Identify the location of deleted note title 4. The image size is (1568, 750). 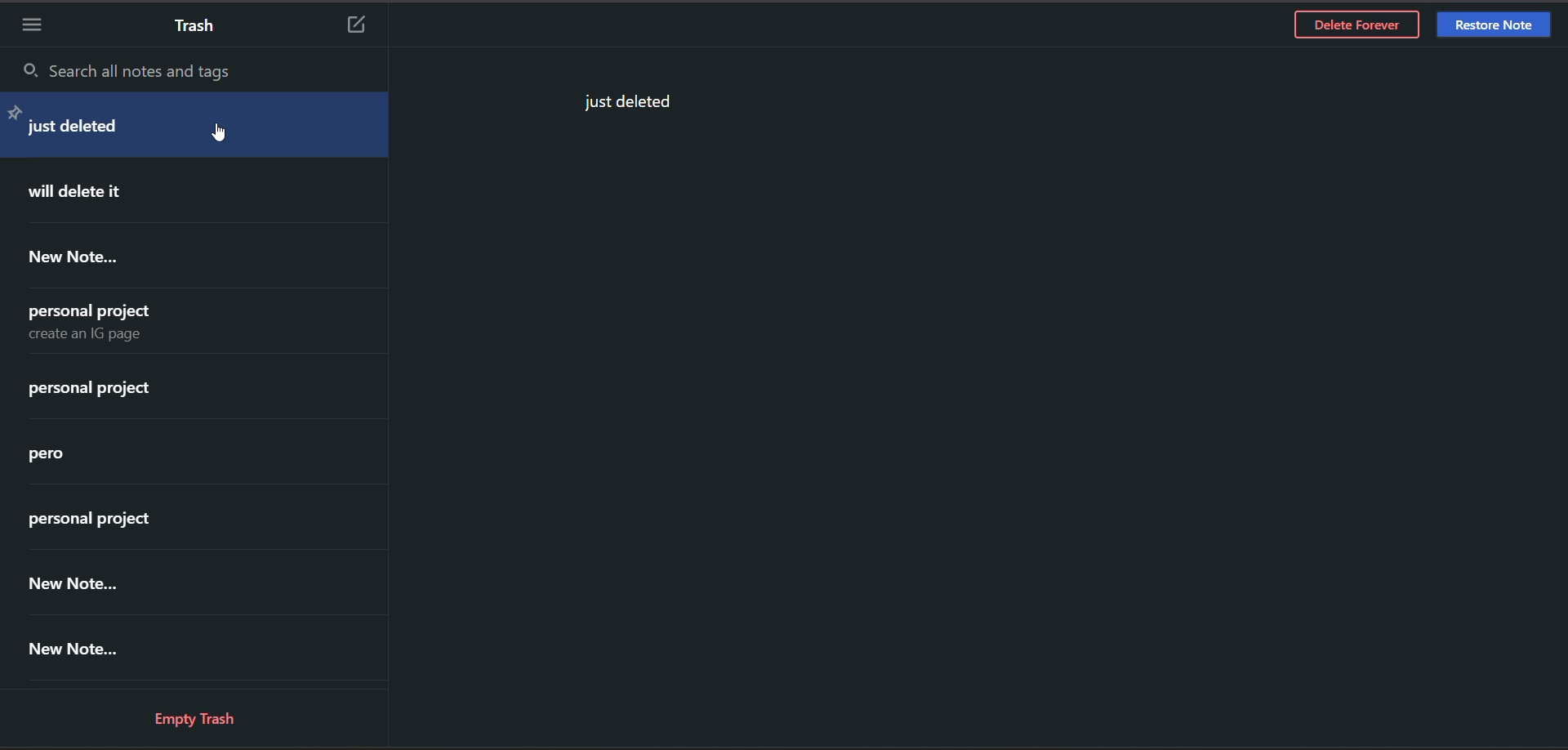
(107, 320).